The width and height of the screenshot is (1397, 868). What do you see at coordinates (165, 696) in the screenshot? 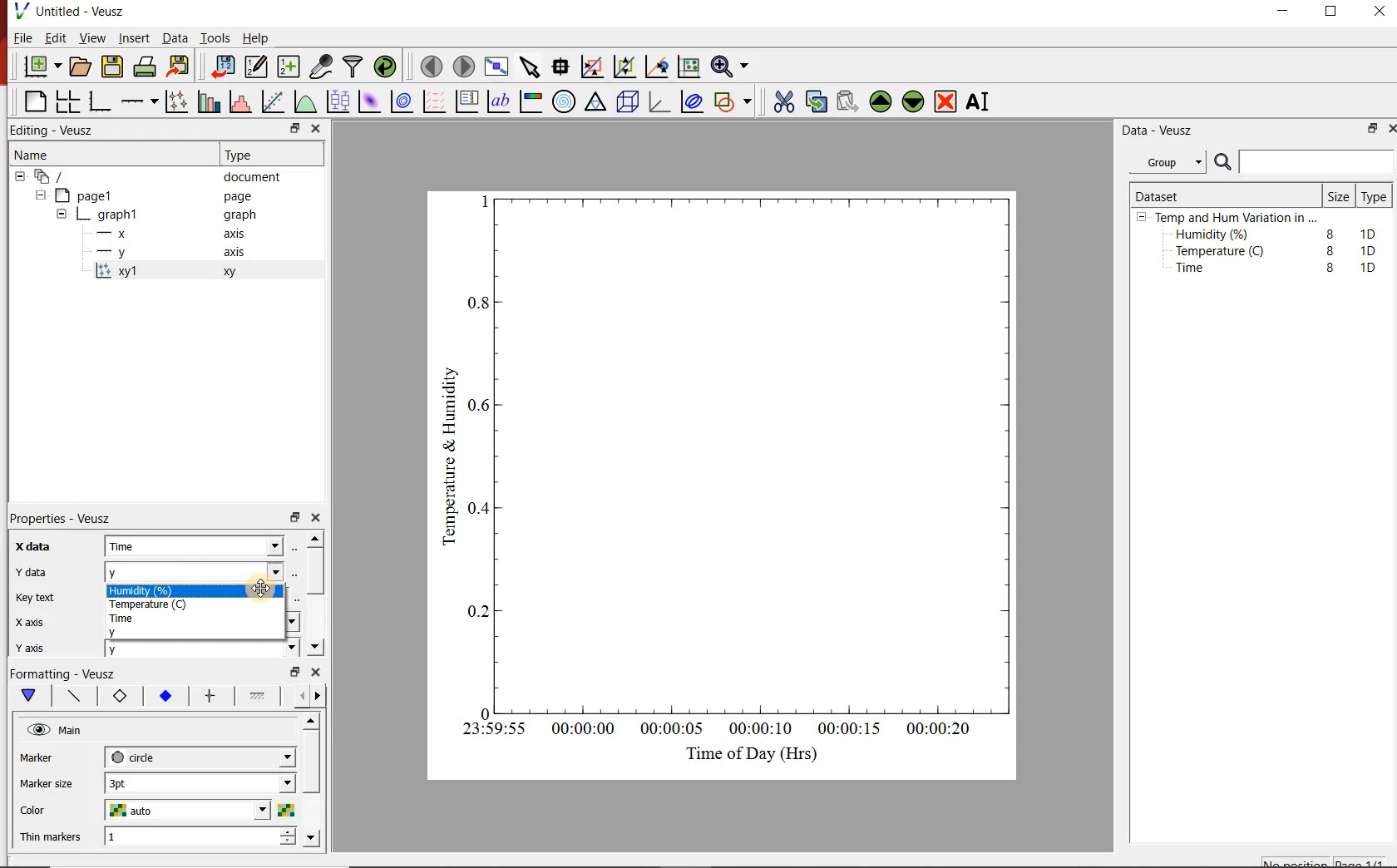
I see `marker fill` at bounding box center [165, 696].